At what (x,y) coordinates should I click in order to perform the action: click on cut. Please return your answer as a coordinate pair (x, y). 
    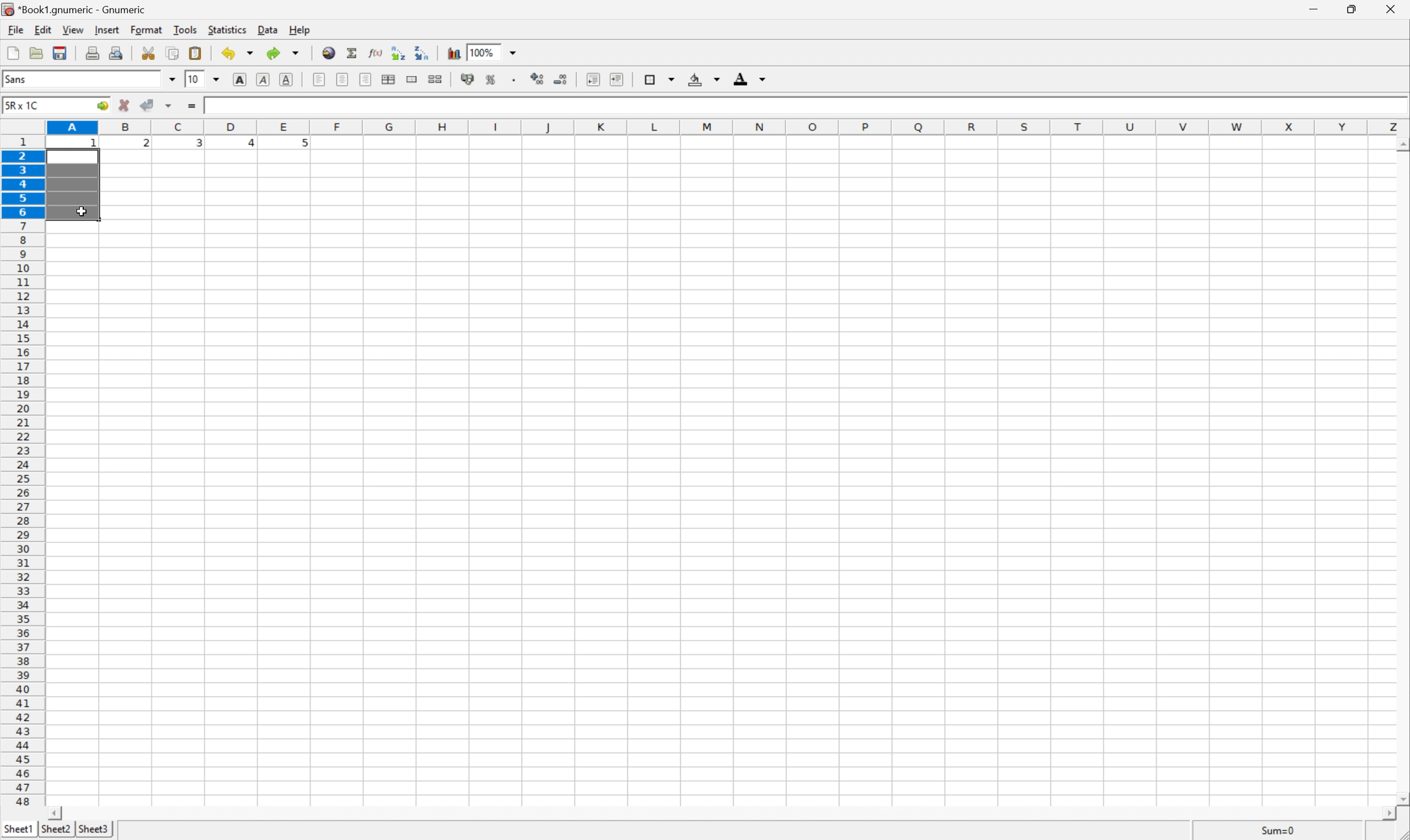
    Looking at the image, I should click on (147, 52).